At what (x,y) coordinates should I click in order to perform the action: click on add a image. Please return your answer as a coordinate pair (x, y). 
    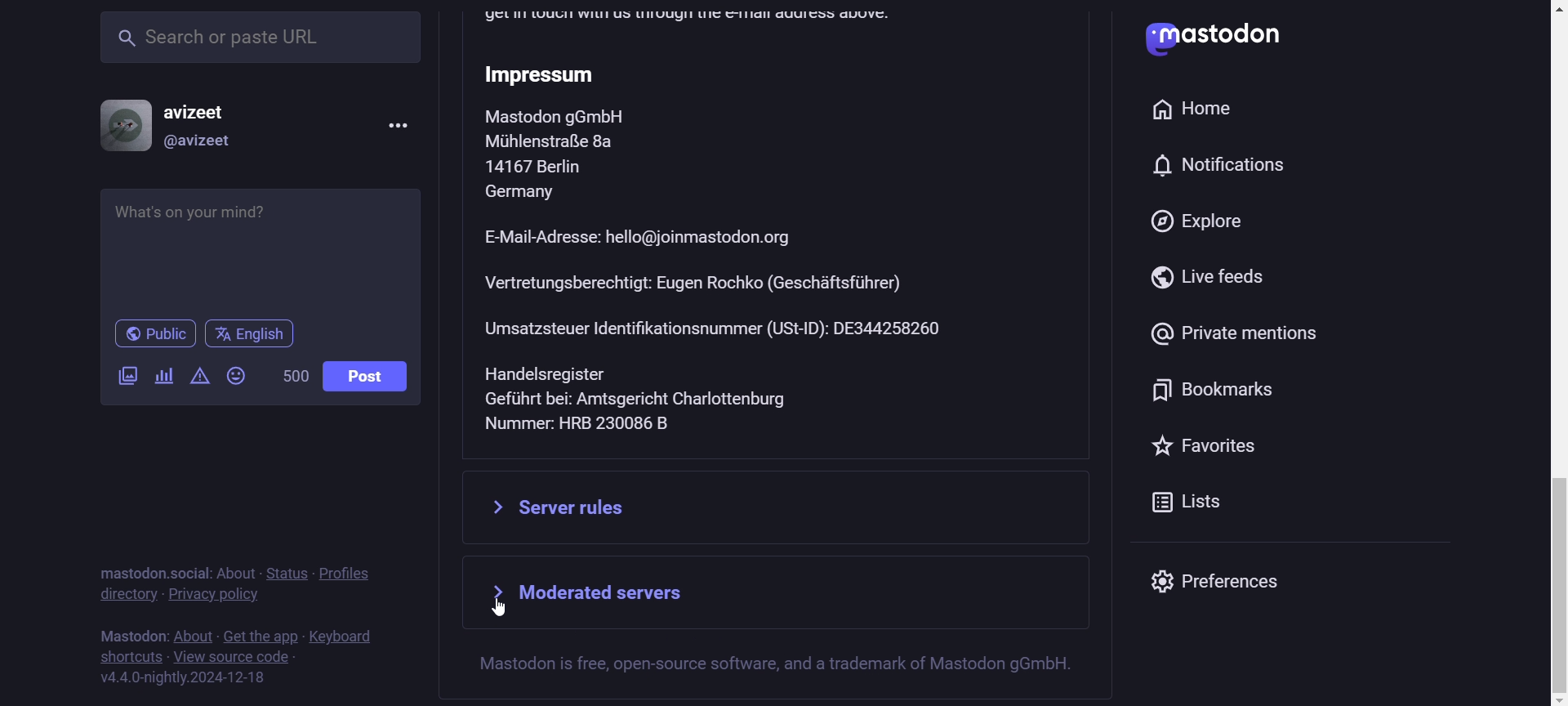
    Looking at the image, I should click on (129, 380).